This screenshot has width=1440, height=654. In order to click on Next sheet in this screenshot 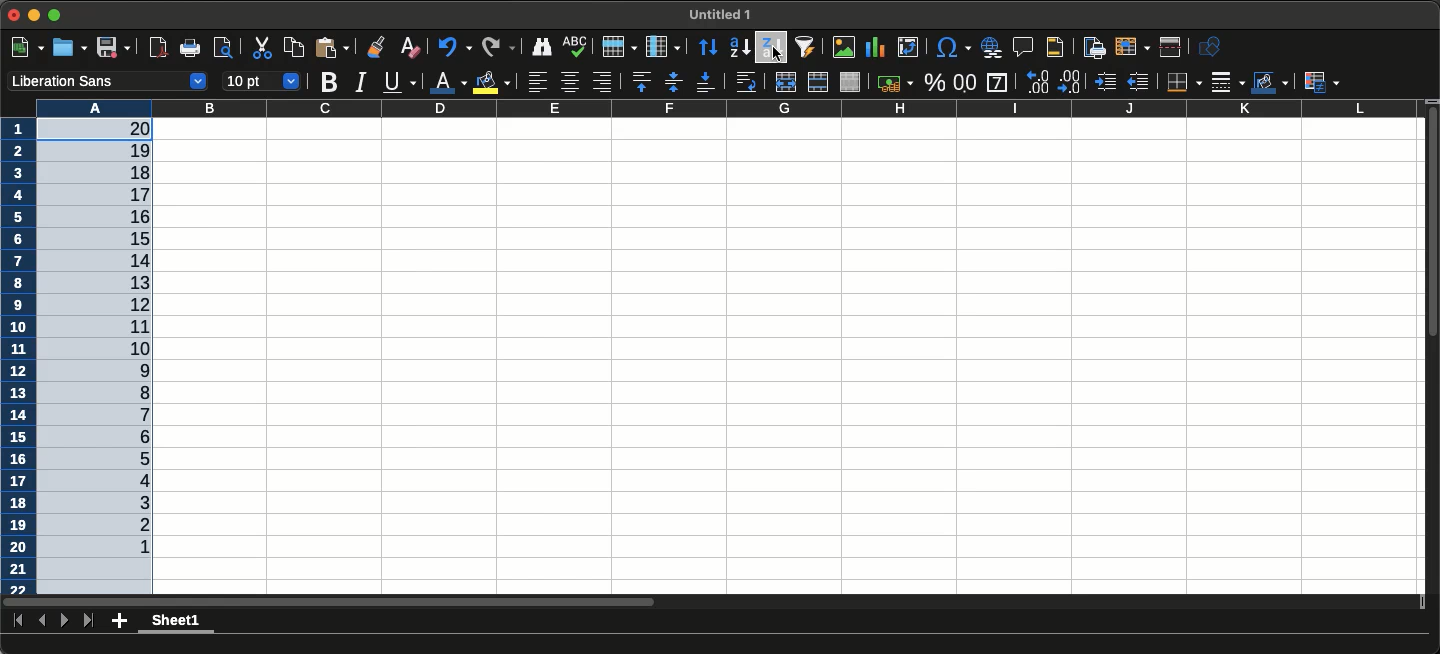, I will do `click(64, 619)`.